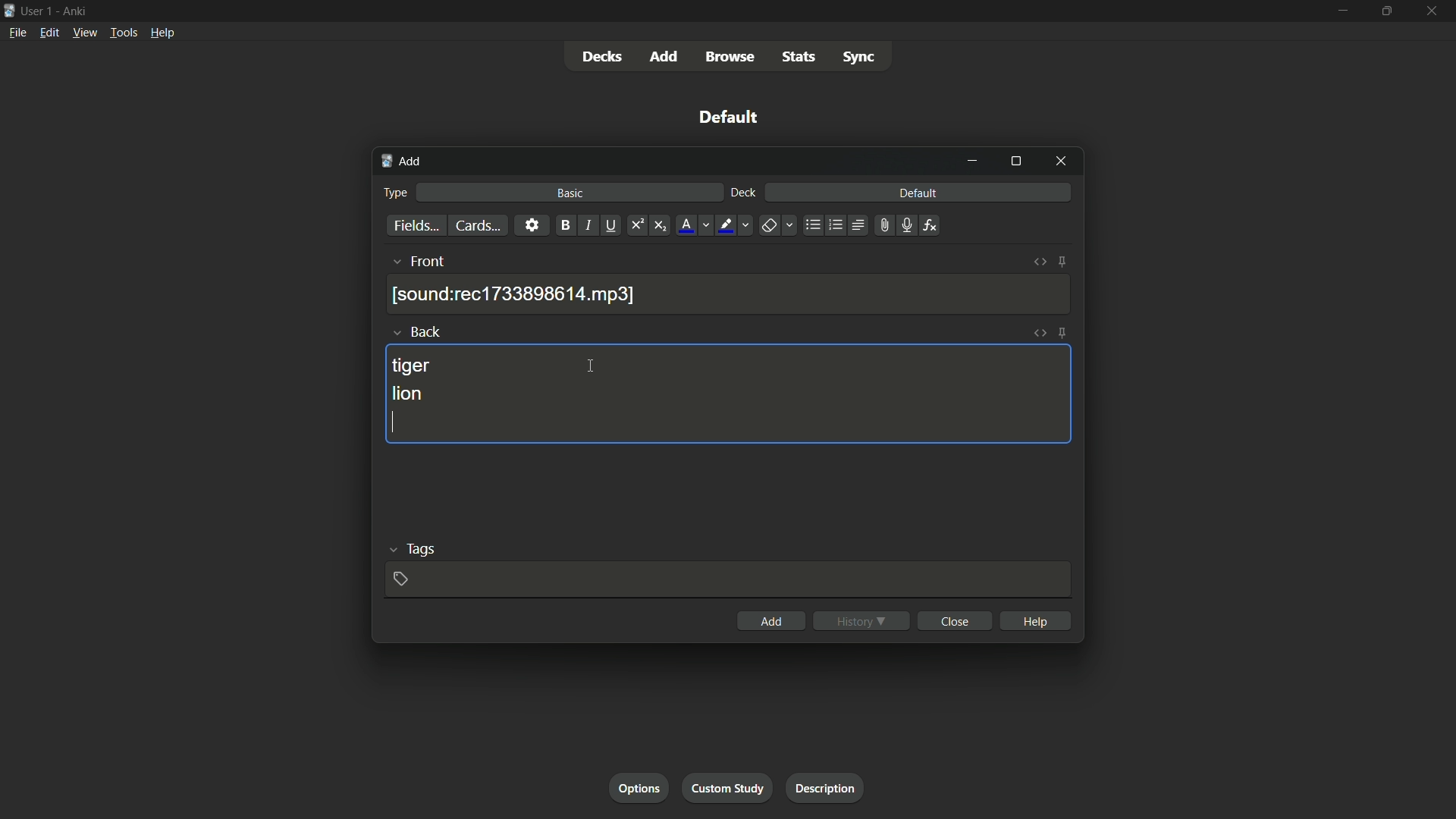 The height and width of the screenshot is (819, 1456). Describe the element at coordinates (636, 225) in the screenshot. I see `superscript` at that location.